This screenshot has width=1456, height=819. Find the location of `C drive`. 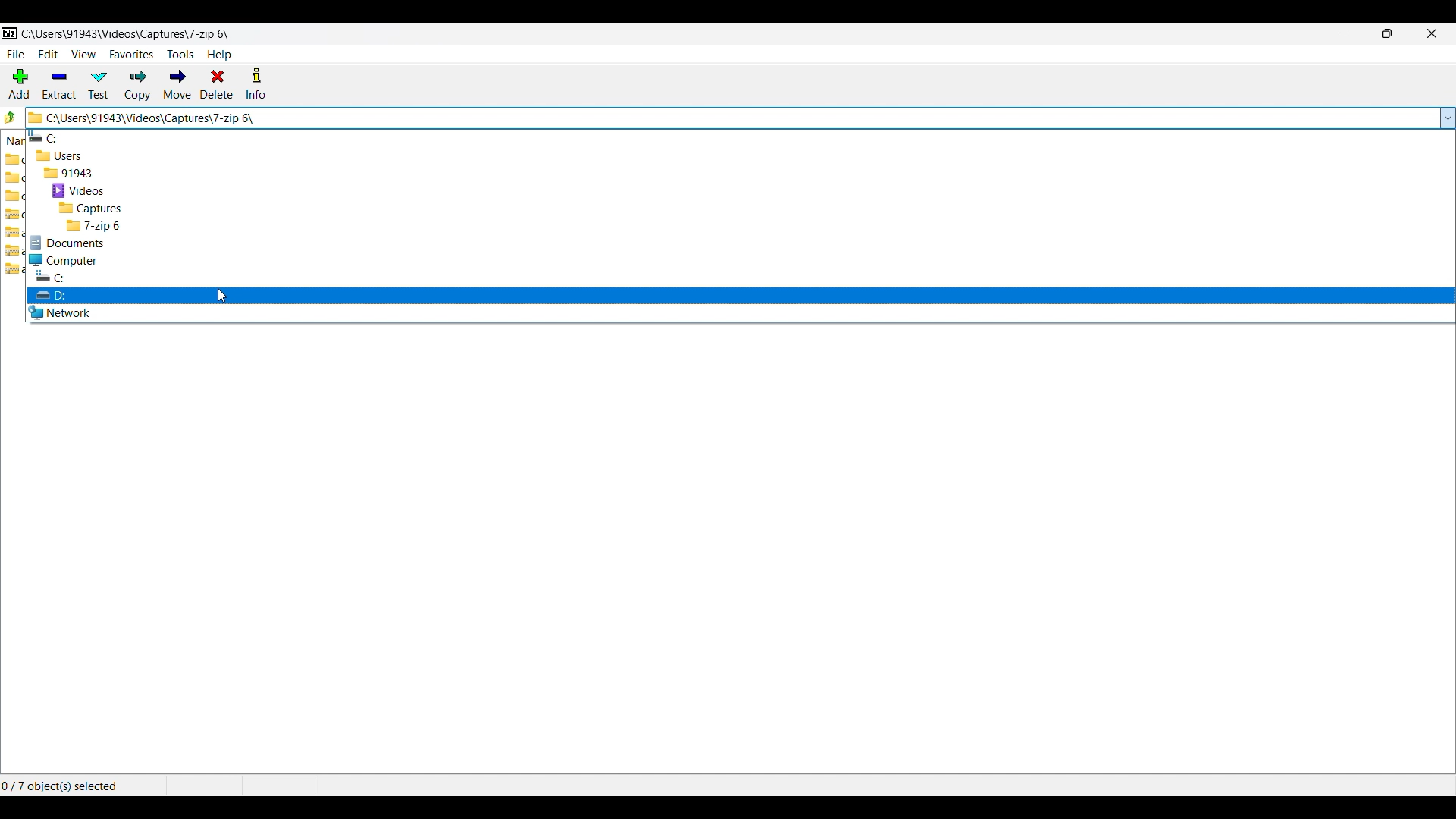

C drive is located at coordinates (738, 136).